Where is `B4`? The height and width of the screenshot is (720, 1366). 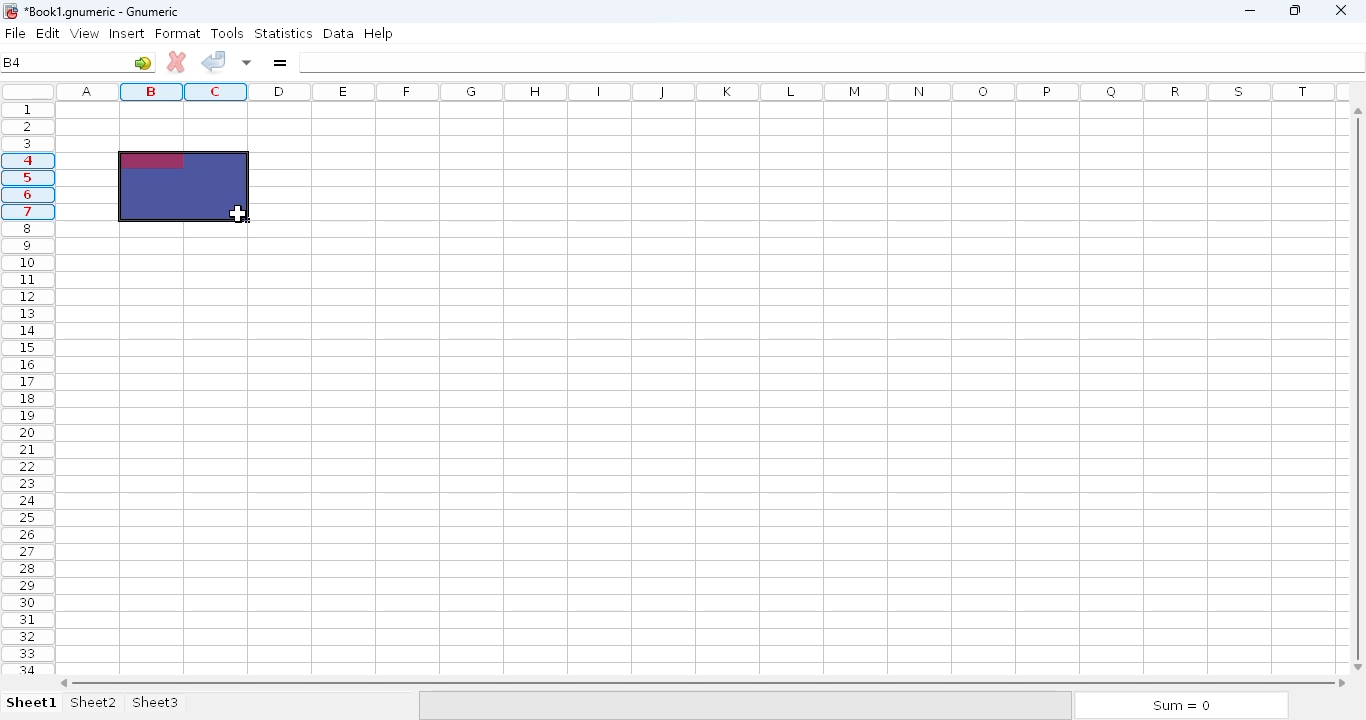
B4 is located at coordinates (13, 62).